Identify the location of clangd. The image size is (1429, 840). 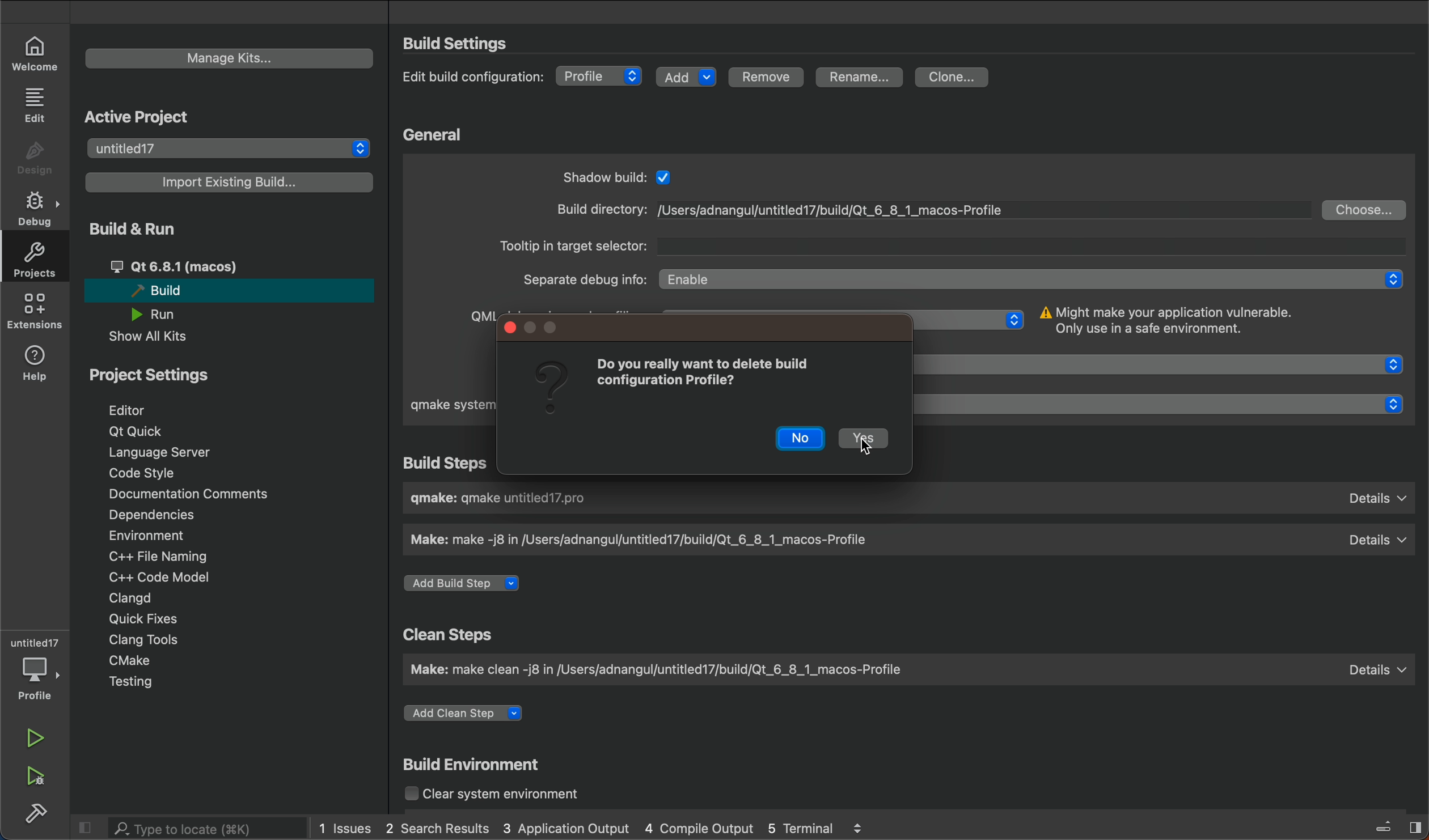
(141, 598).